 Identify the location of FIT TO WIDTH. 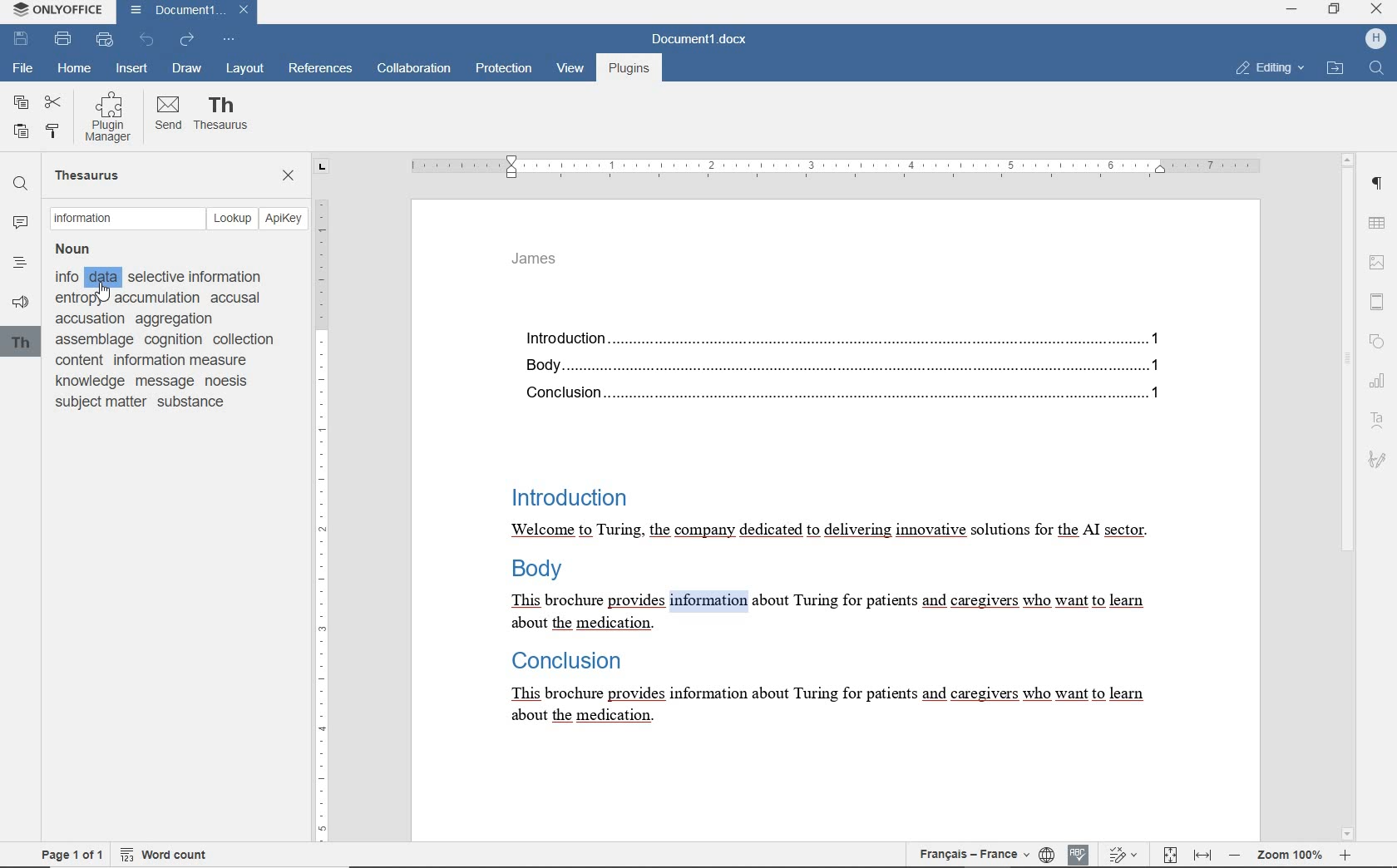
(1201, 856).